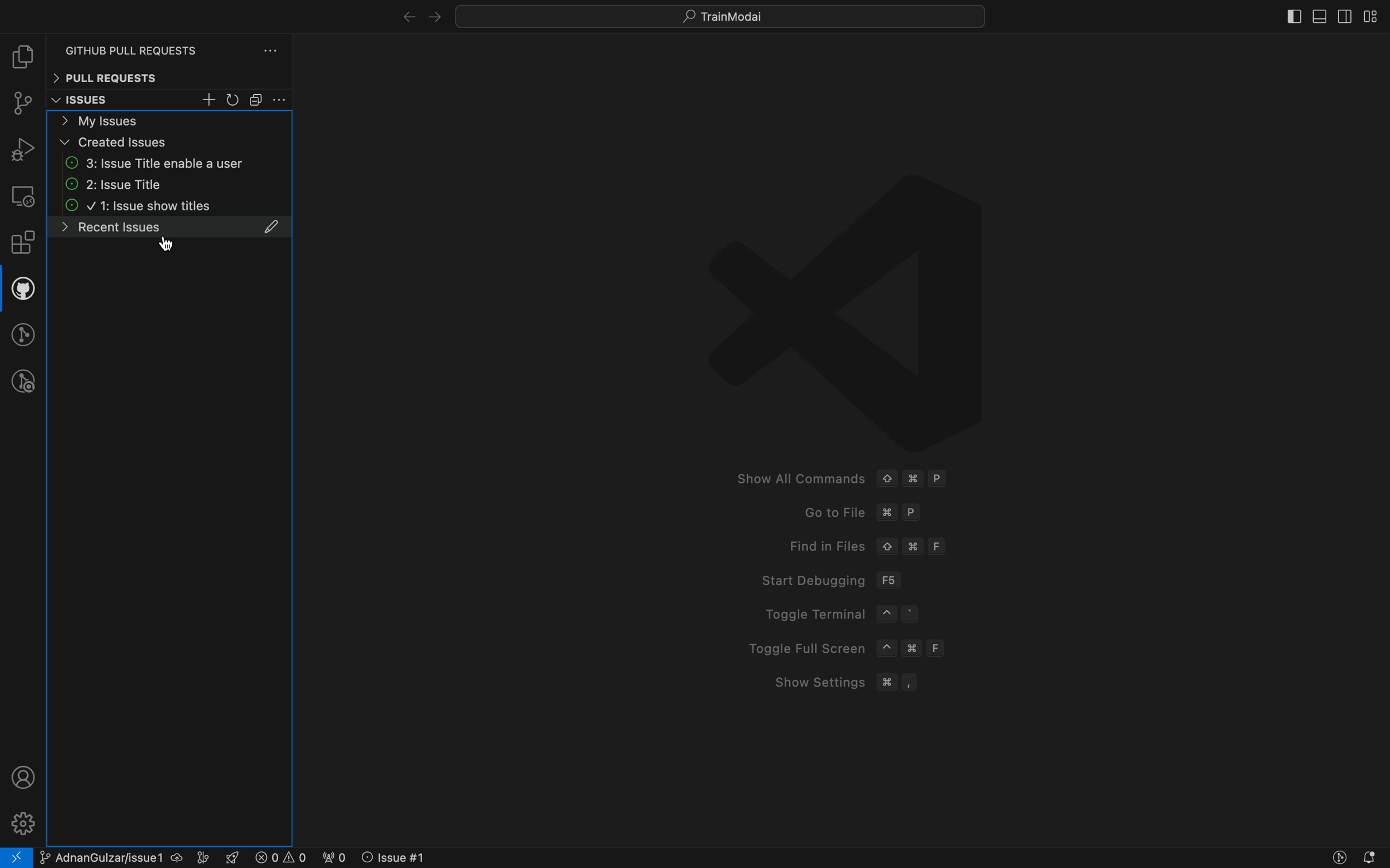  I want to click on error logs, so click(269, 857).